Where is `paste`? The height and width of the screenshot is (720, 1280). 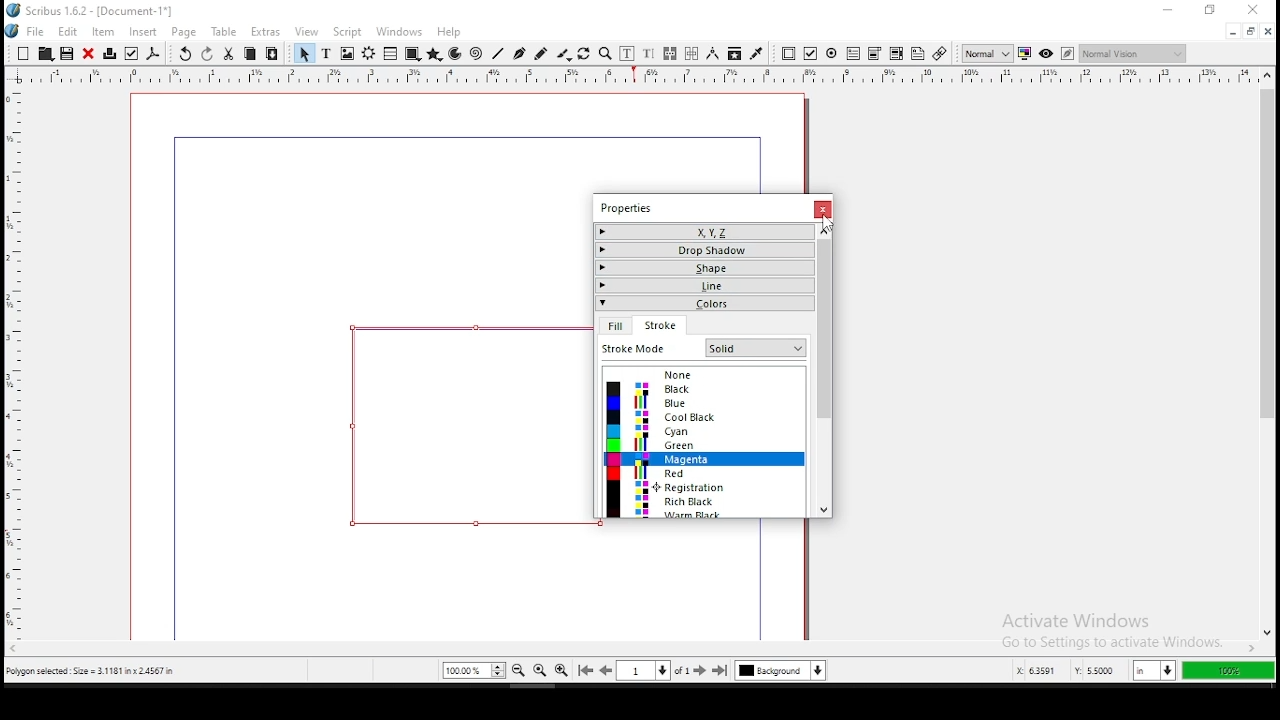 paste is located at coordinates (271, 54).